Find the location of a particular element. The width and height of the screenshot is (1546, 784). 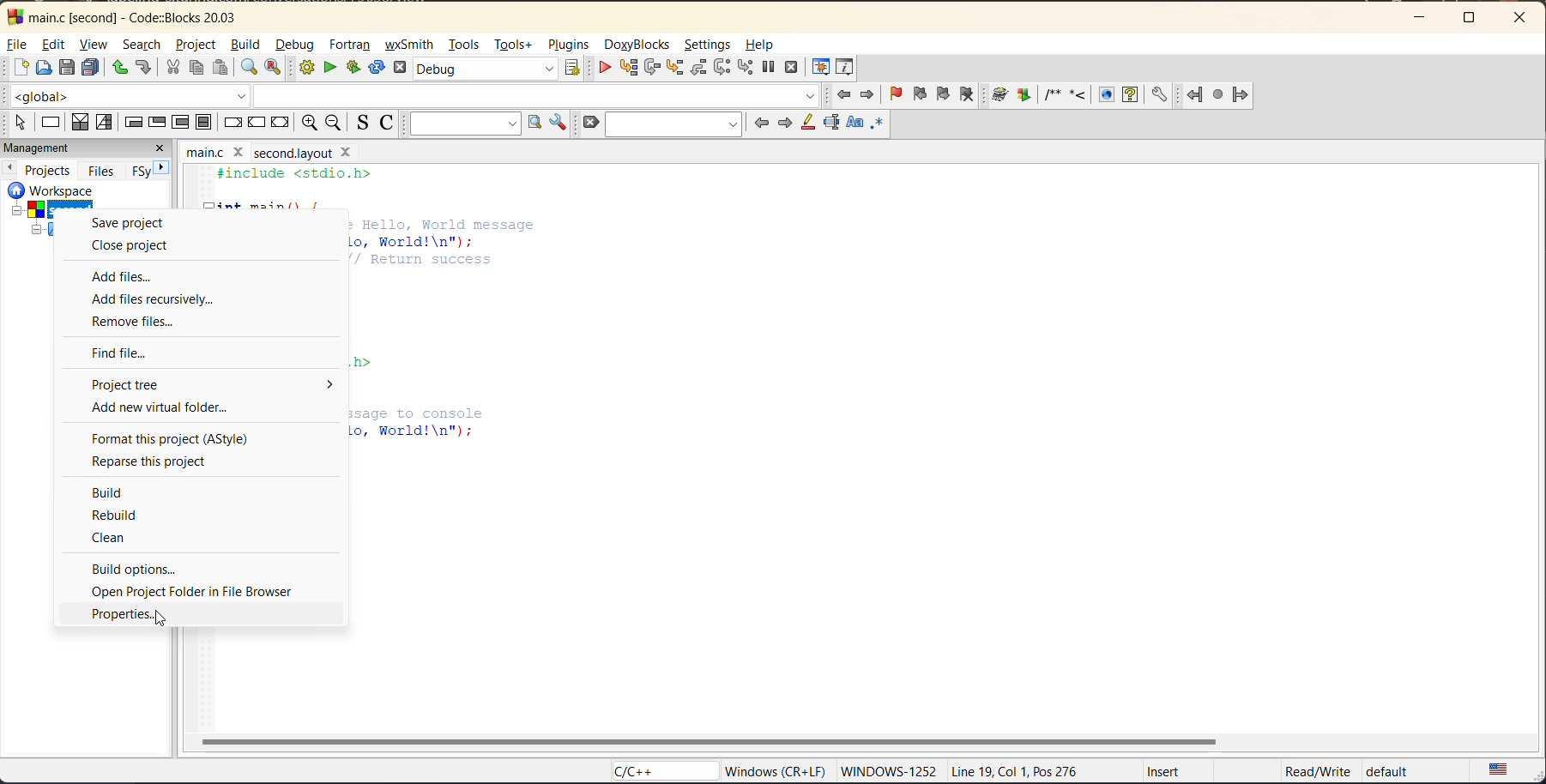

select is located at coordinates (21, 124).